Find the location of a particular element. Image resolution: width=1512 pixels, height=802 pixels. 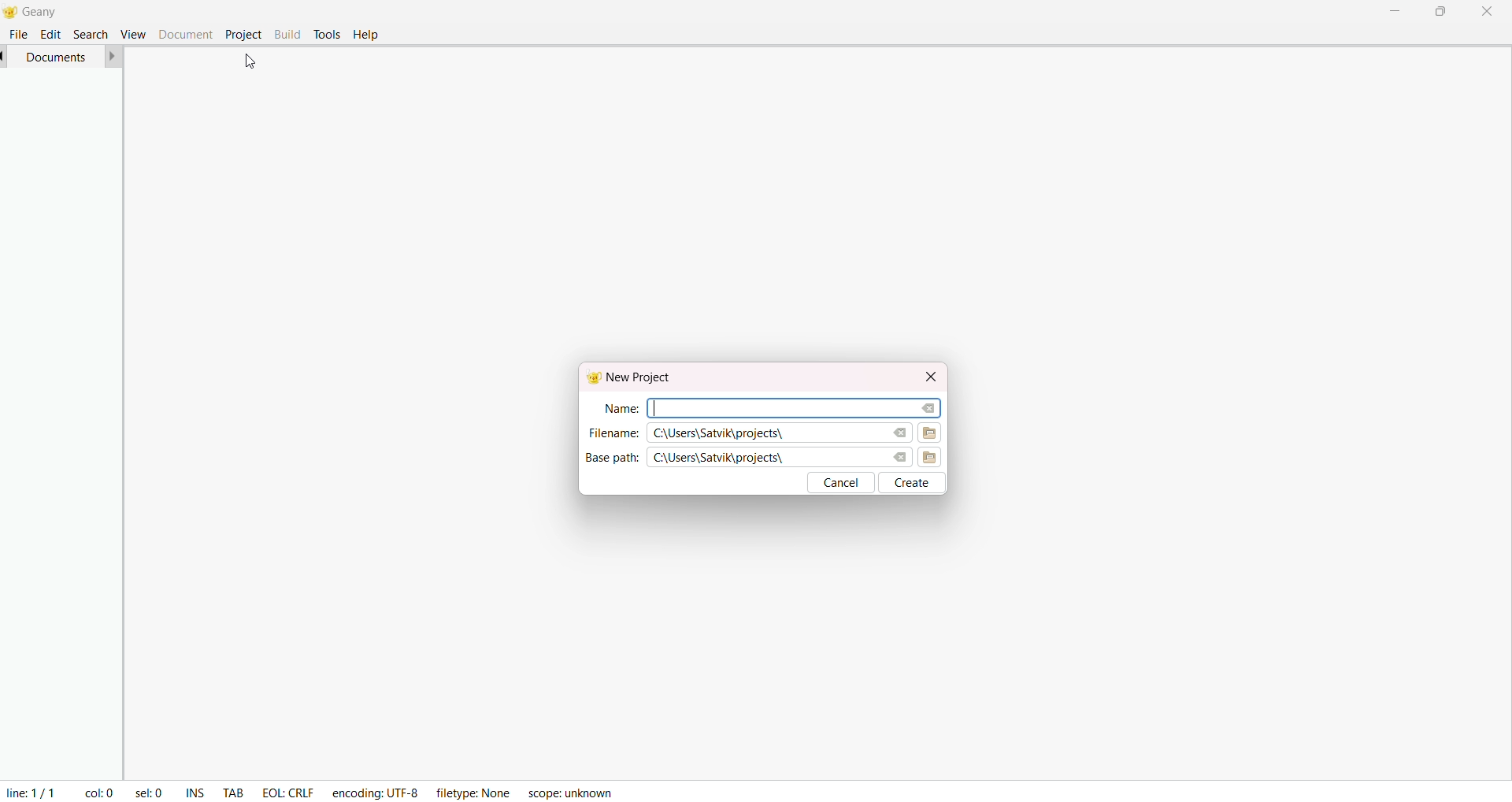

Geany logo is located at coordinates (9, 11).